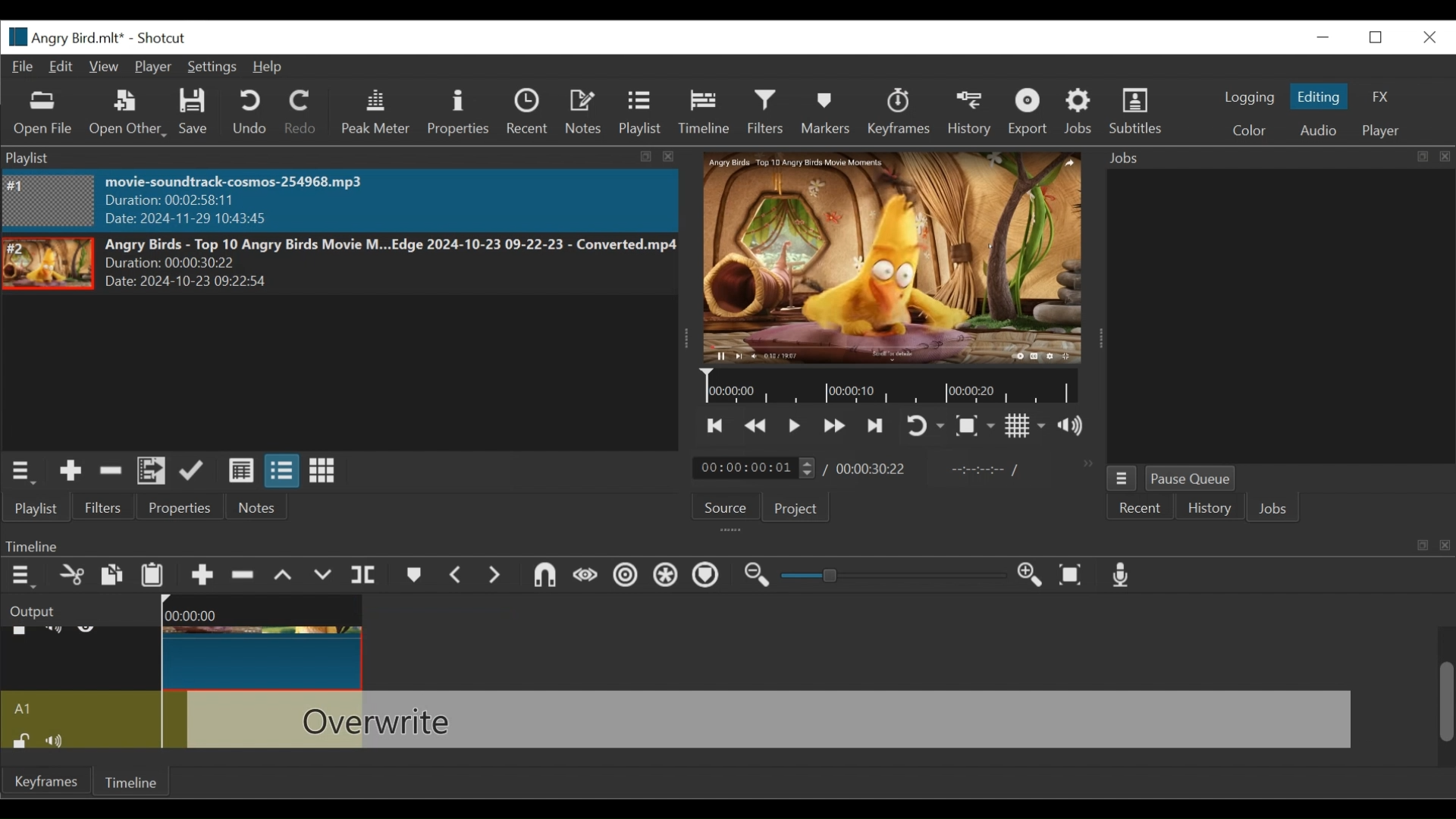 Image resolution: width=1456 pixels, height=819 pixels. Describe the element at coordinates (771, 719) in the screenshot. I see `Overwrite` at that location.